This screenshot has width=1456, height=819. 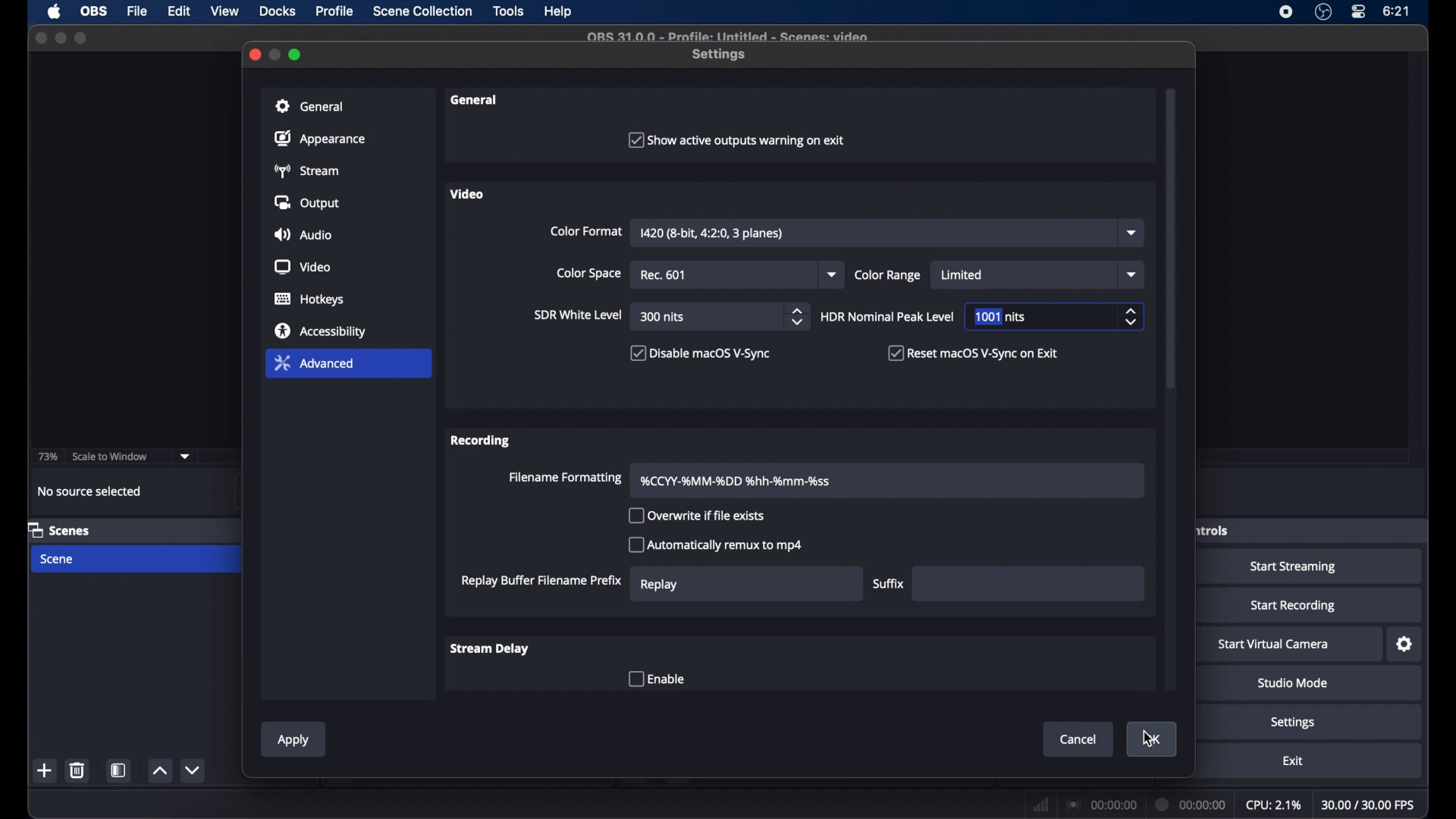 I want to click on hotkeys, so click(x=309, y=299).